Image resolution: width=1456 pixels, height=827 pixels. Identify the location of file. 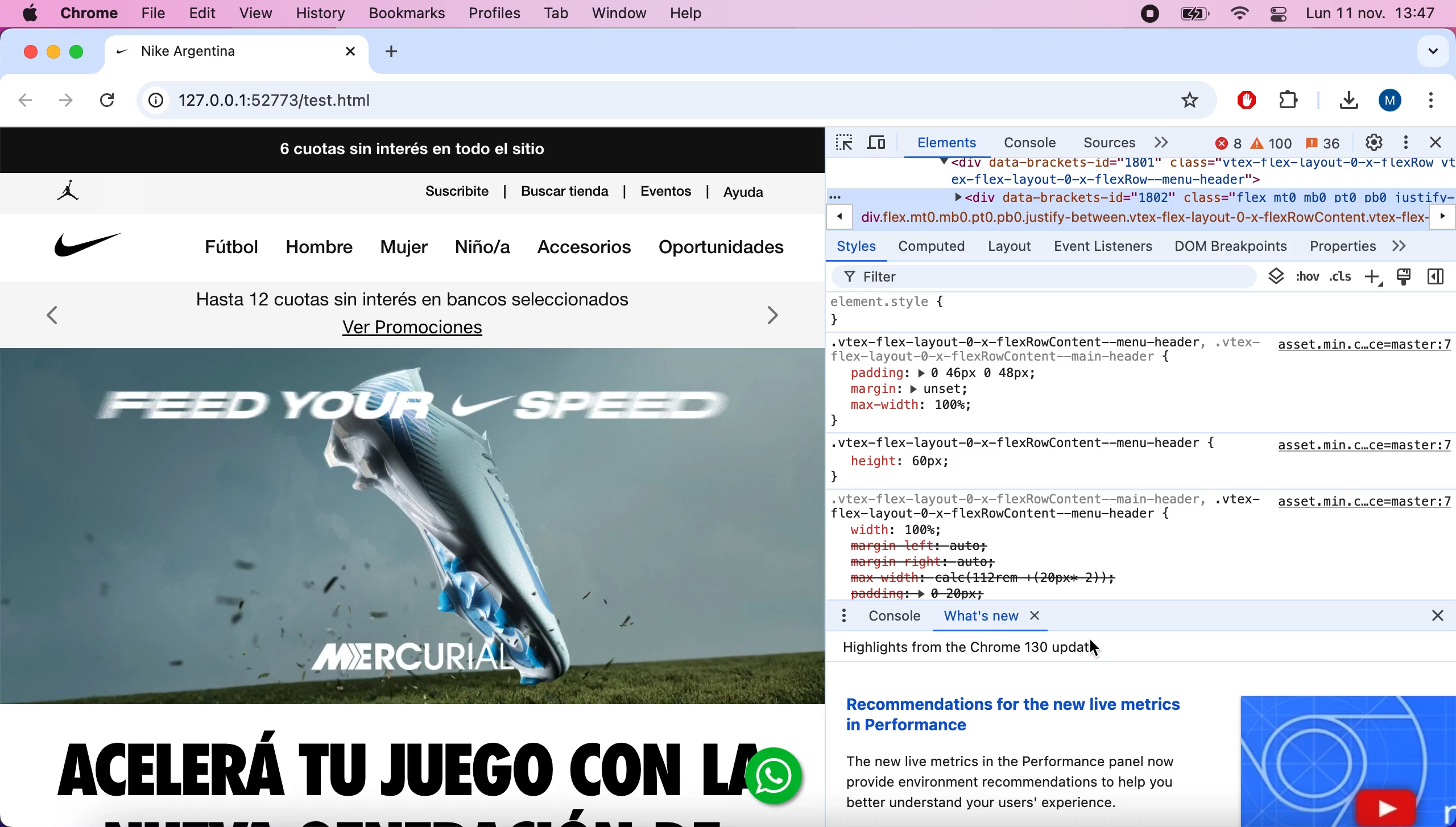
(158, 13).